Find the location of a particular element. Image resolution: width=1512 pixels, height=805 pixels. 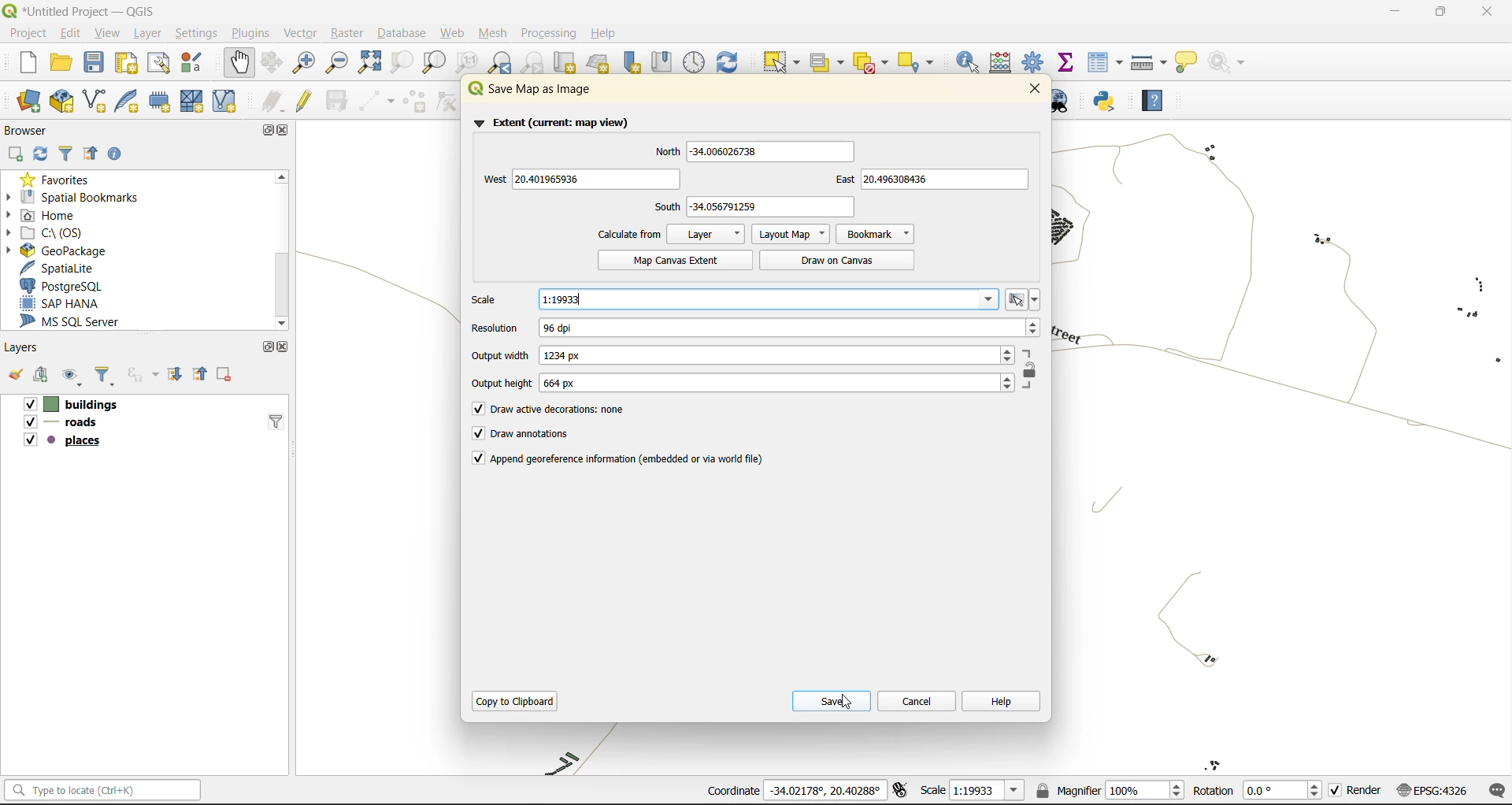

select is located at coordinates (784, 62).